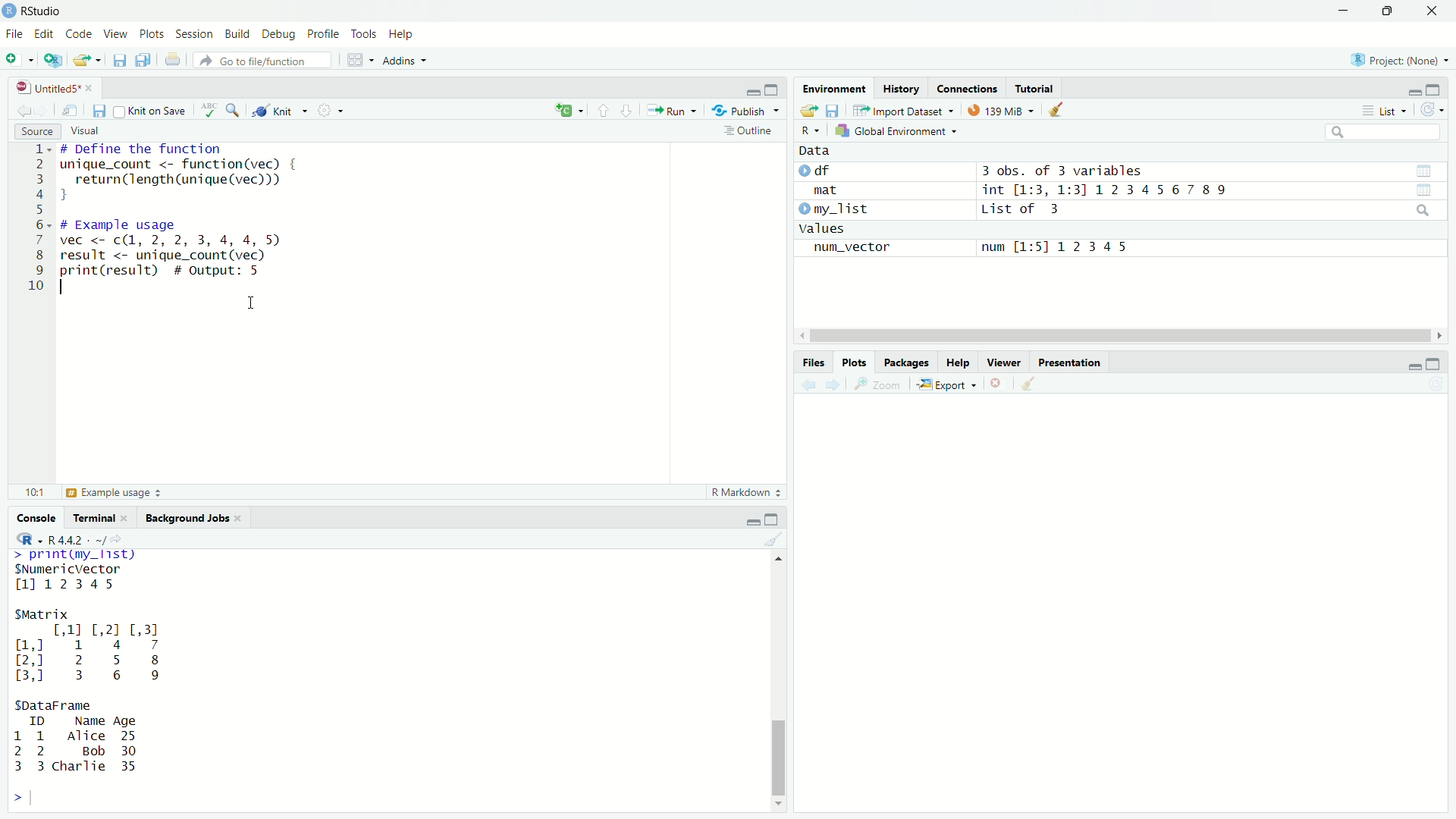 The width and height of the screenshot is (1456, 819). Describe the element at coordinates (26, 110) in the screenshot. I see `back` at that location.